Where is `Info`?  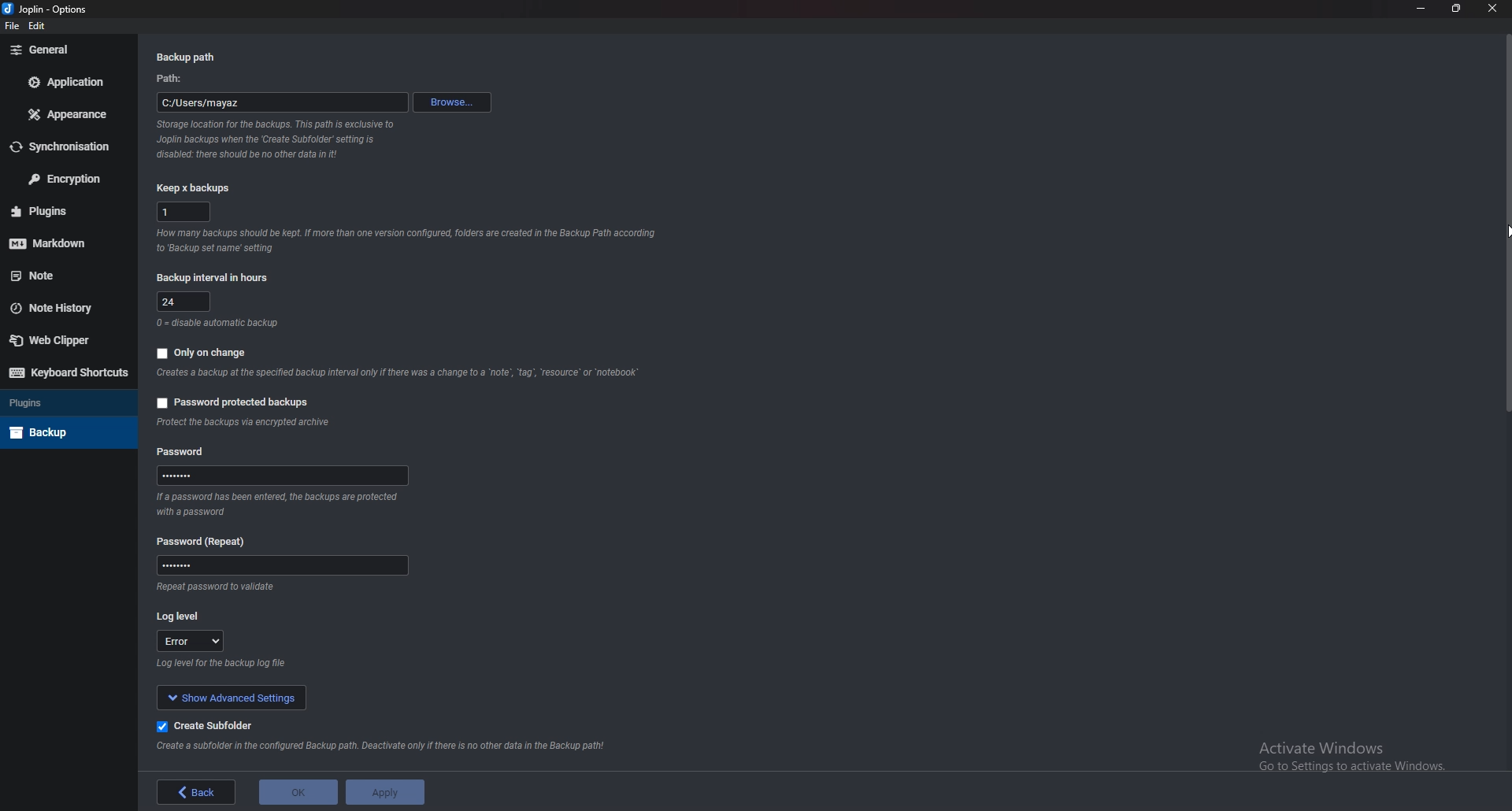 Info is located at coordinates (245, 424).